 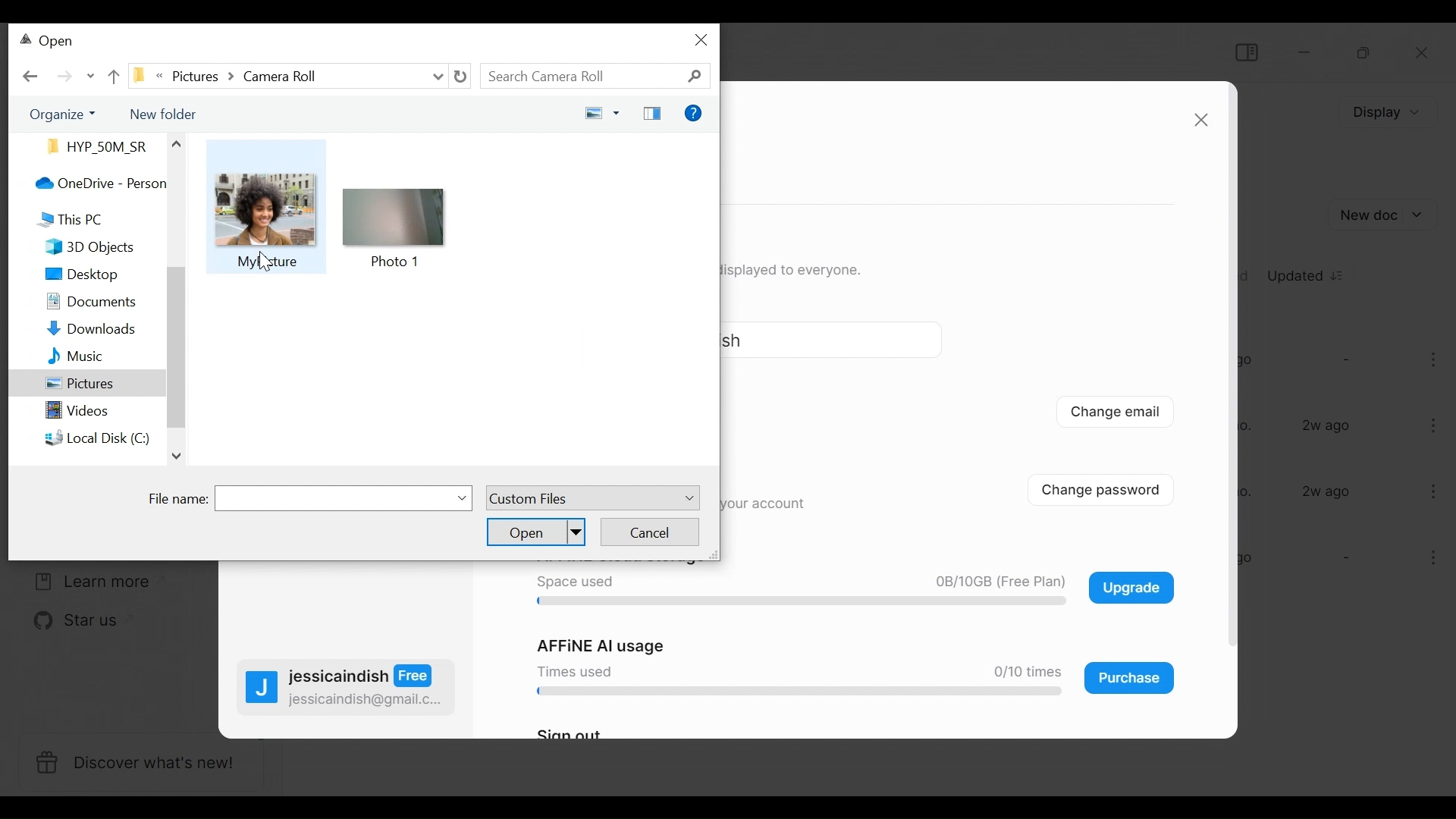 I want to click on icon, so click(x=264, y=206).